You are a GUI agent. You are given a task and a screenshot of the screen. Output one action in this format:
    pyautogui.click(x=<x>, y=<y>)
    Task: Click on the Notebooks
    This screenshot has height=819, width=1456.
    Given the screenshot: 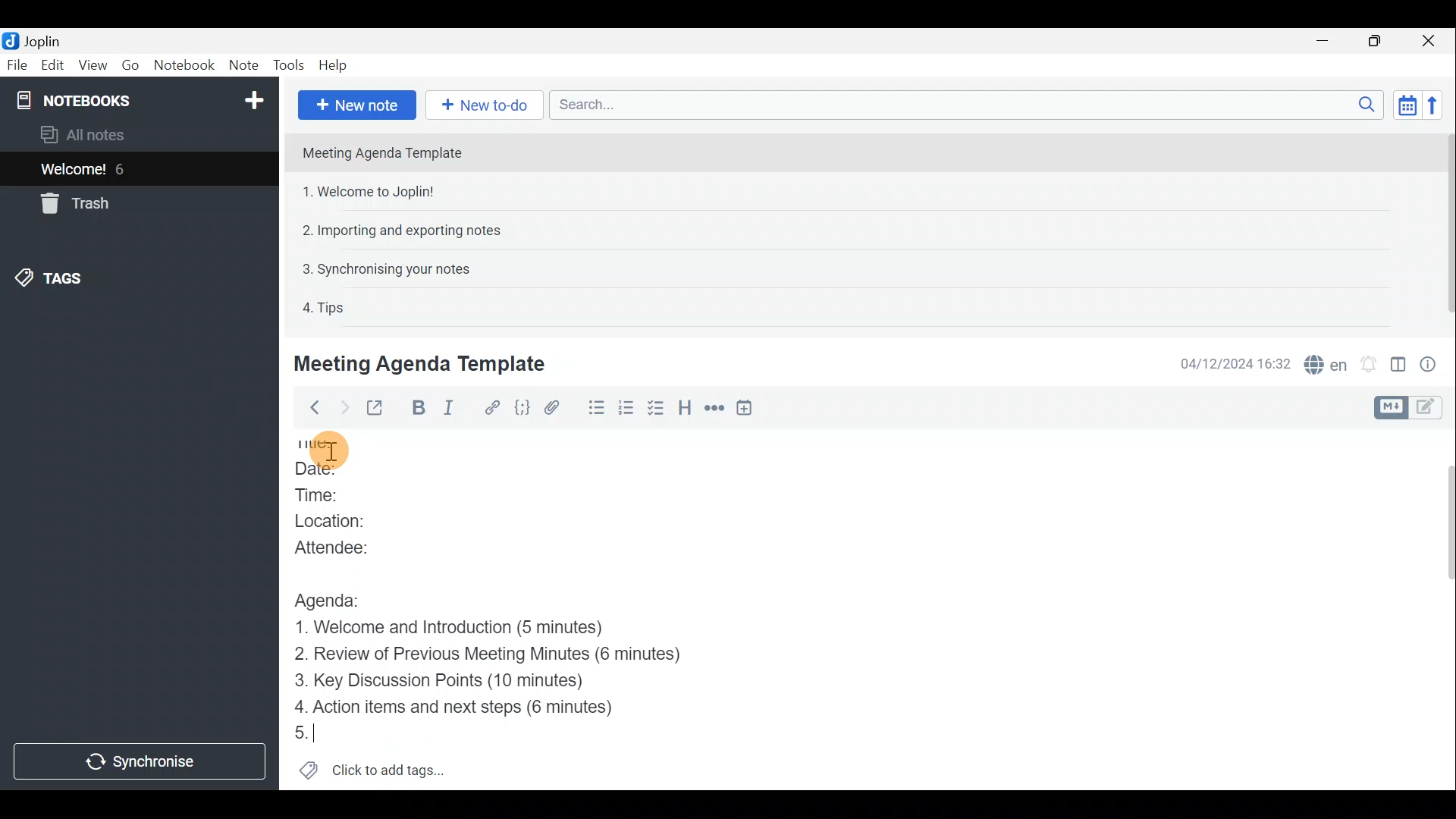 What is the action you would take?
    pyautogui.click(x=142, y=99)
    